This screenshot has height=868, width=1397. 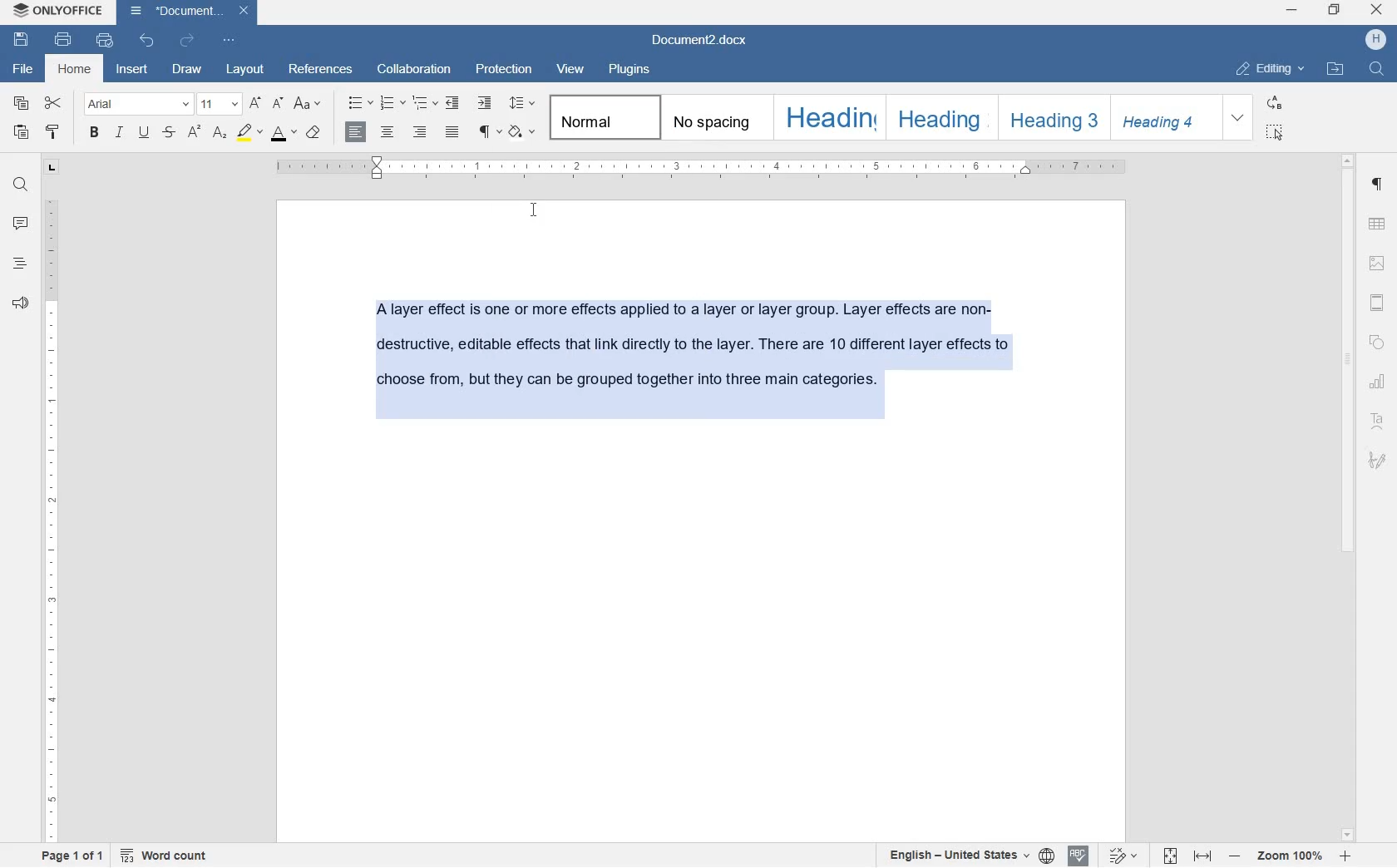 What do you see at coordinates (20, 265) in the screenshot?
I see `headings` at bounding box center [20, 265].